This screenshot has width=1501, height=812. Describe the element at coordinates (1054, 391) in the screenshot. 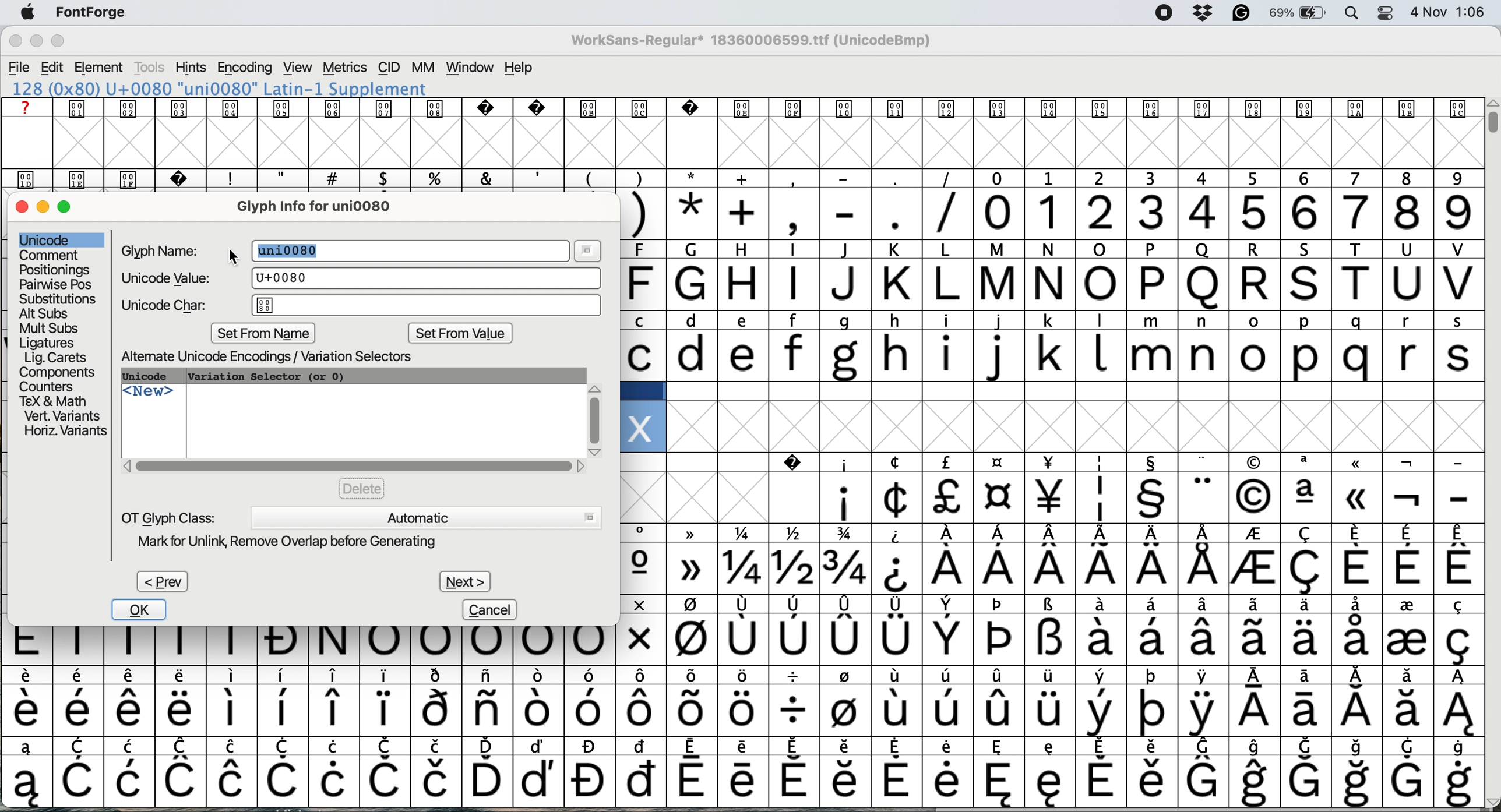

I see `data cells` at that location.